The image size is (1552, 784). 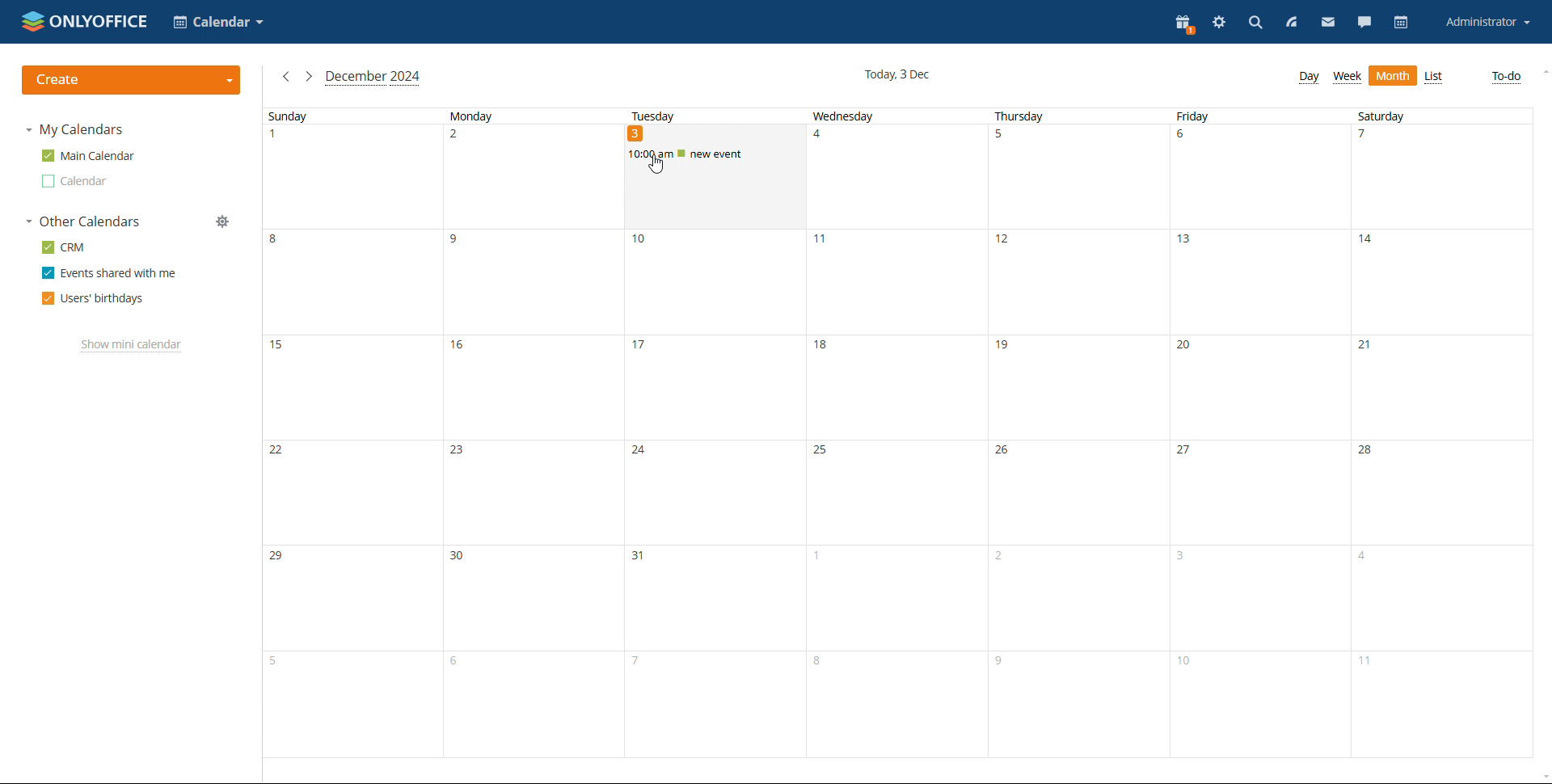 What do you see at coordinates (132, 346) in the screenshot?
I see `show mini calendar` at bounding box center [132, 346].